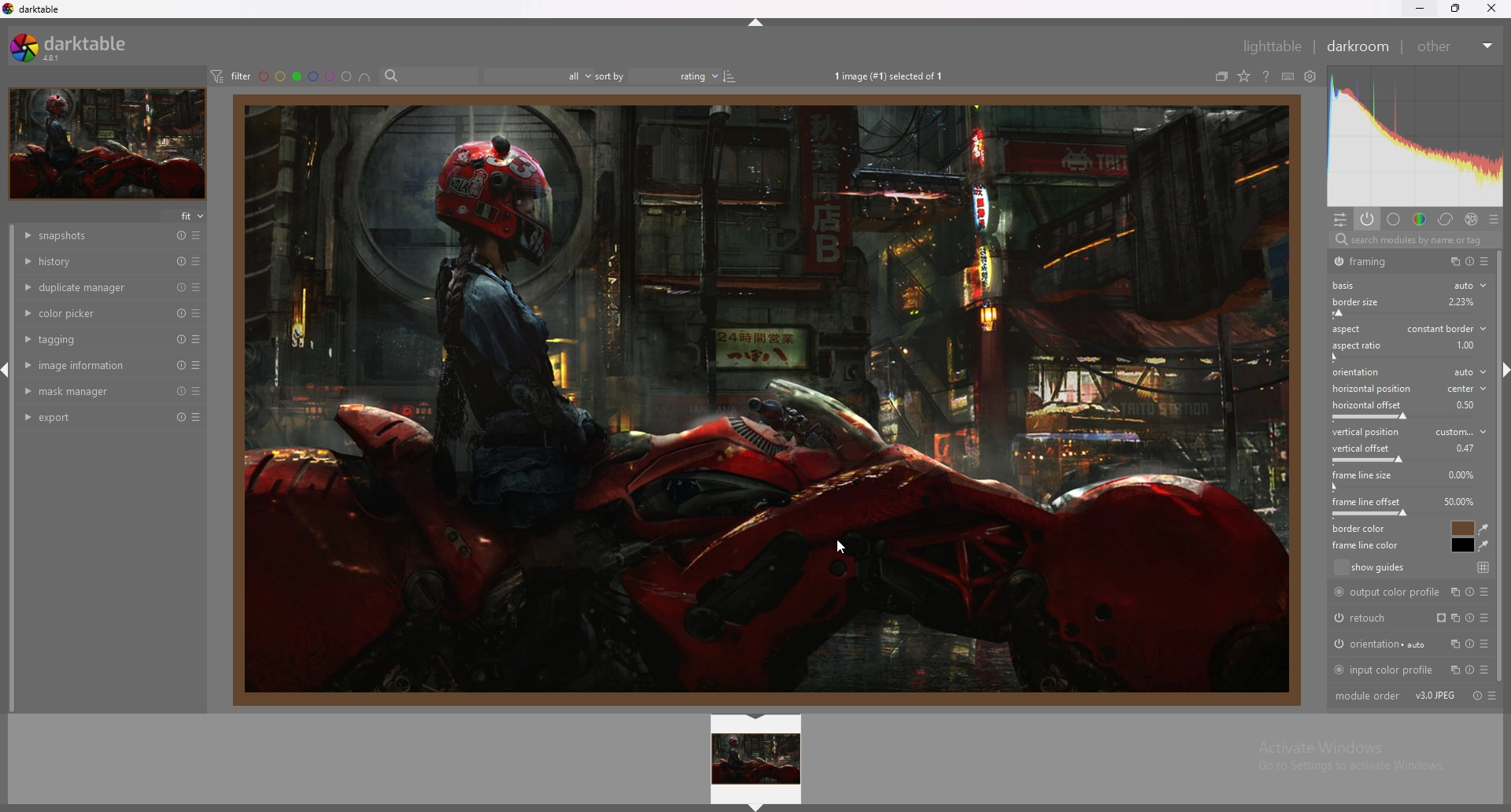  What do you see at coordinates (181, 287) in the screenshot?
I see `reset` at bounding box center [181, 287].